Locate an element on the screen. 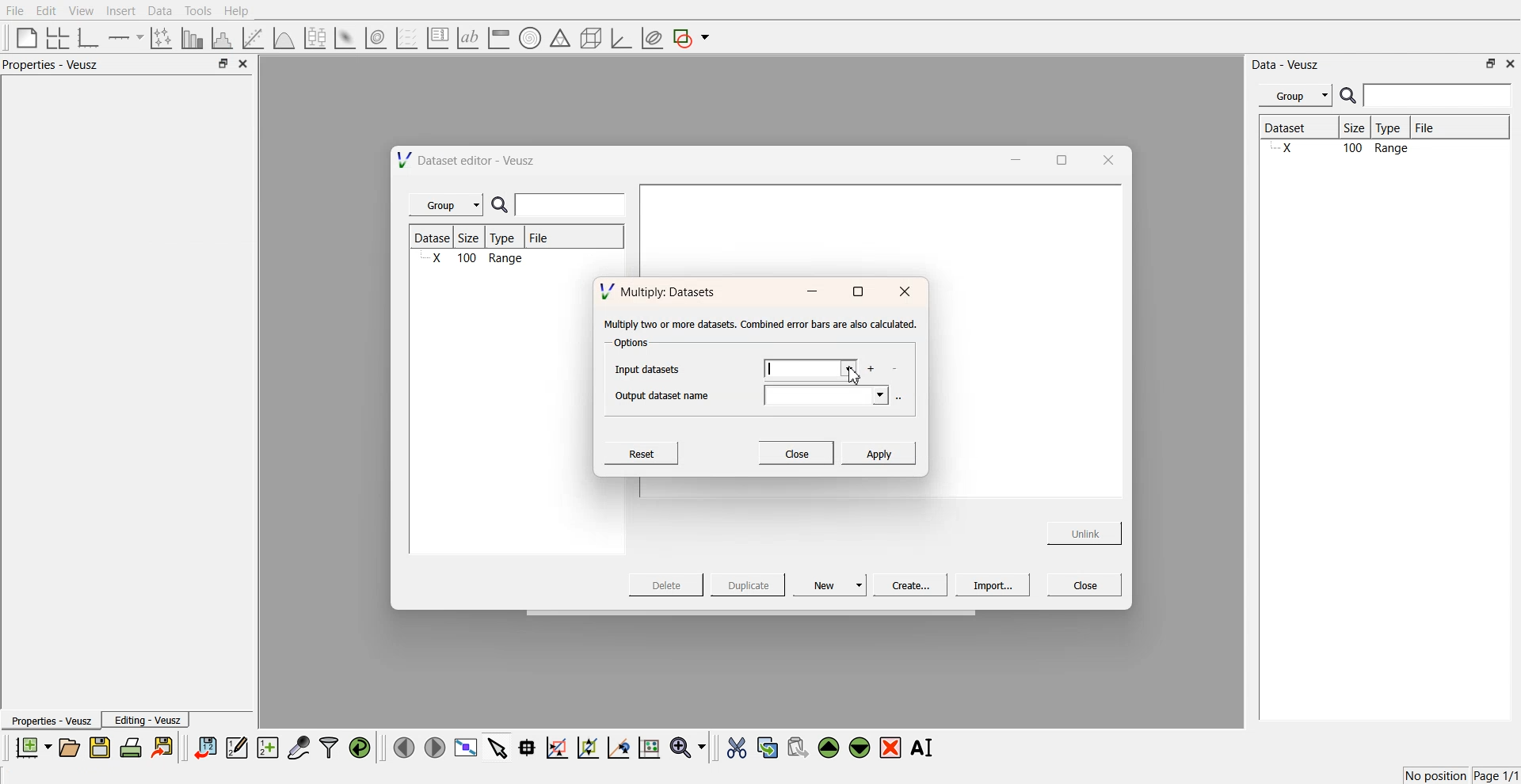 The width and height of the screenshot is (1521, 784). Group | is located at coordinates (448, 205).